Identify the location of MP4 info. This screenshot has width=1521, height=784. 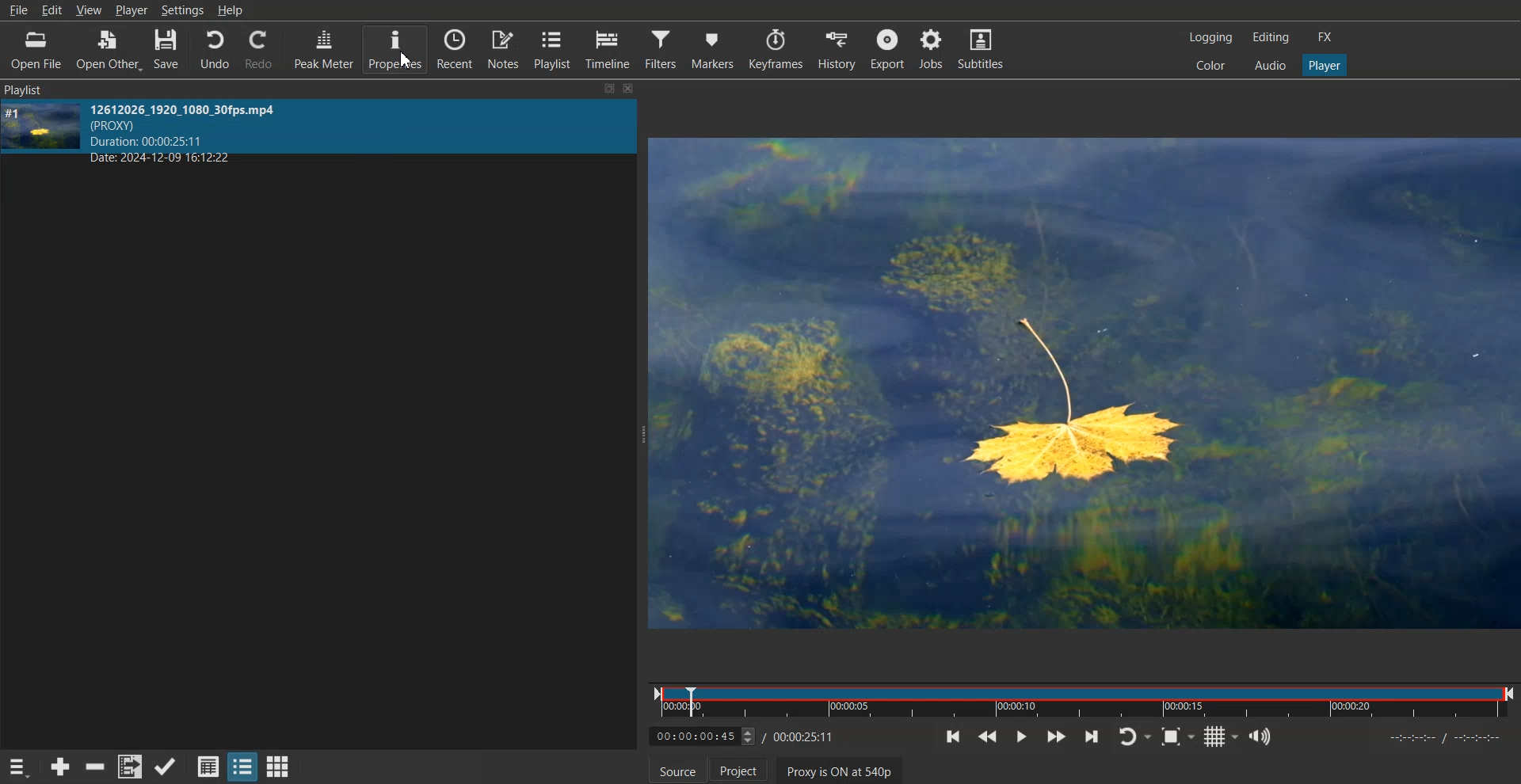
(350, 136).